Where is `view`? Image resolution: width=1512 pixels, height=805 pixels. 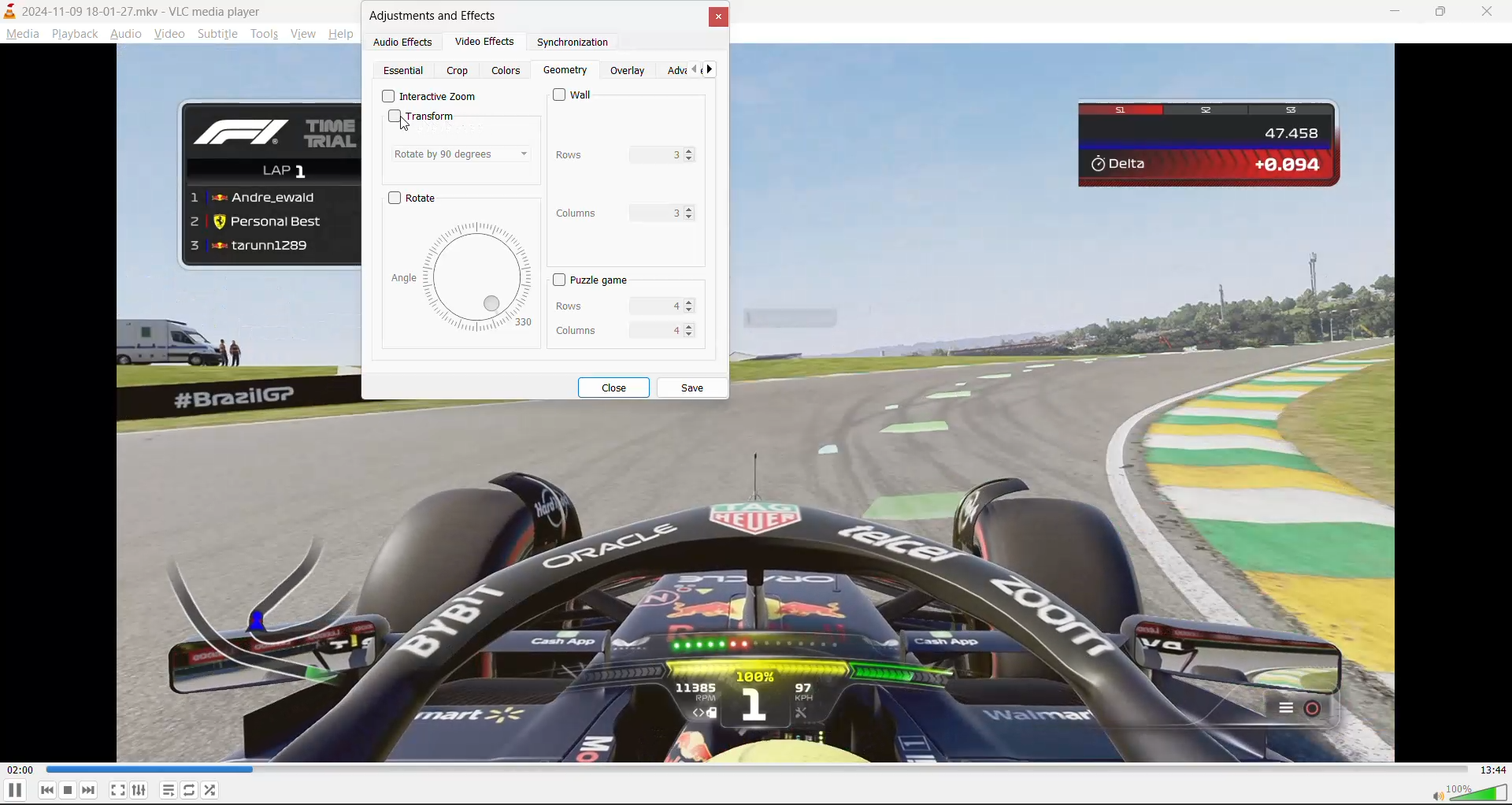 view is located at coordinates (302, 34).